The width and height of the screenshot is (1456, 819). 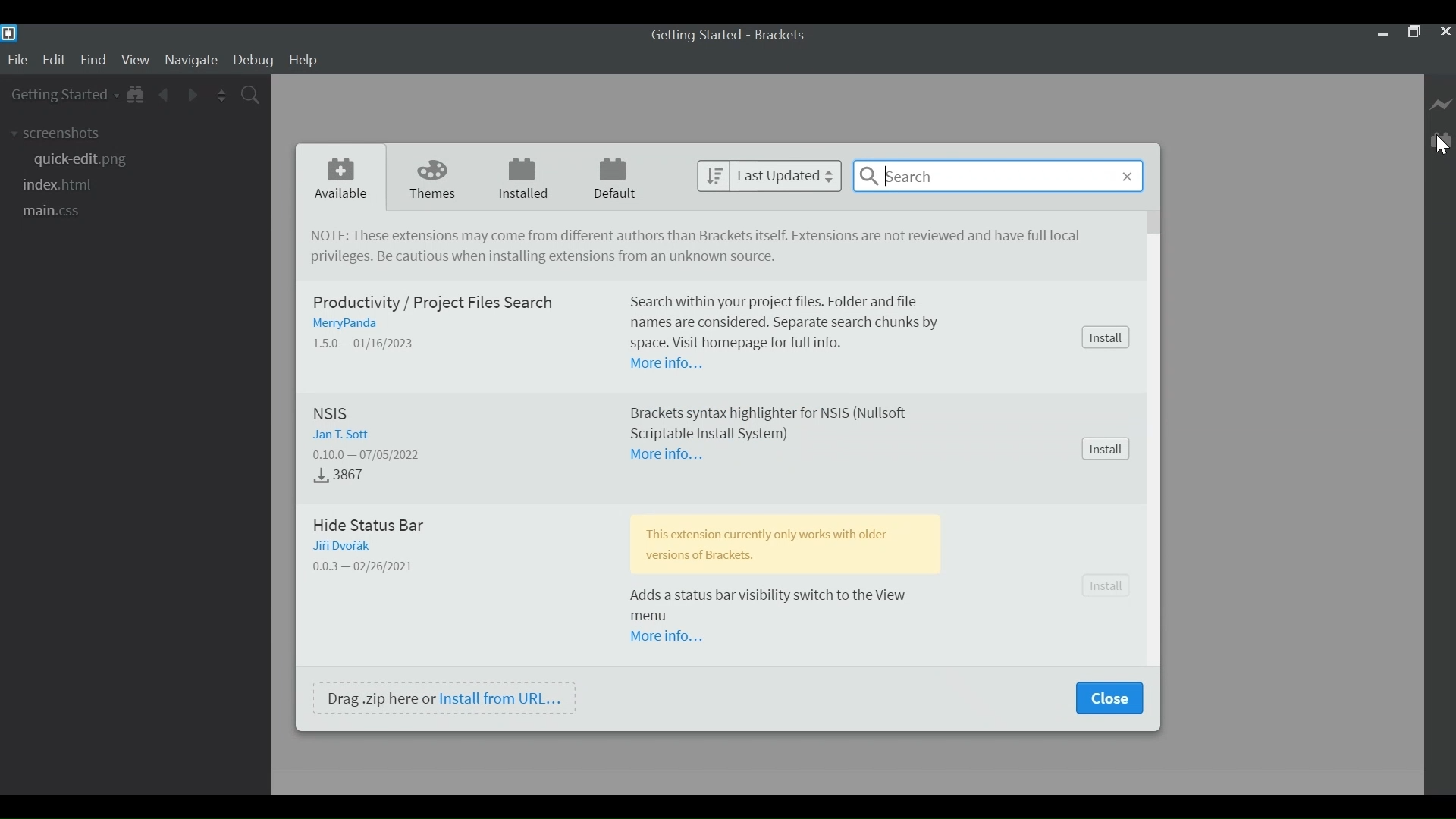 What do you see at coordinates (674, 364) in the screenshot?
I see `more Information` at bounding box center [674, 364].